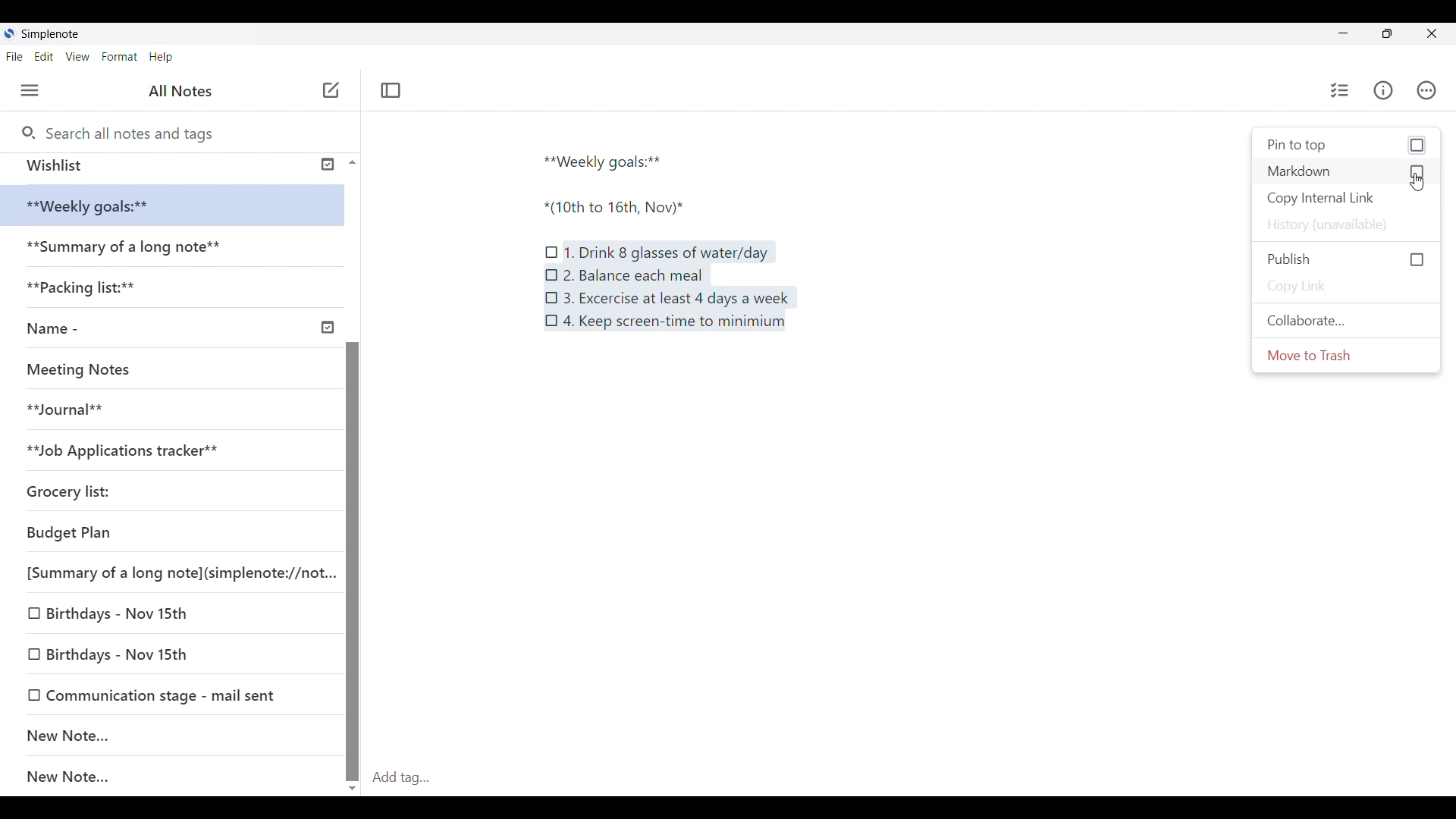 The width and height of the screenshot is (1456, 819). Describe the element at coordinates (1305, 324) in the screenshot. I see `Collaborate` at that location.